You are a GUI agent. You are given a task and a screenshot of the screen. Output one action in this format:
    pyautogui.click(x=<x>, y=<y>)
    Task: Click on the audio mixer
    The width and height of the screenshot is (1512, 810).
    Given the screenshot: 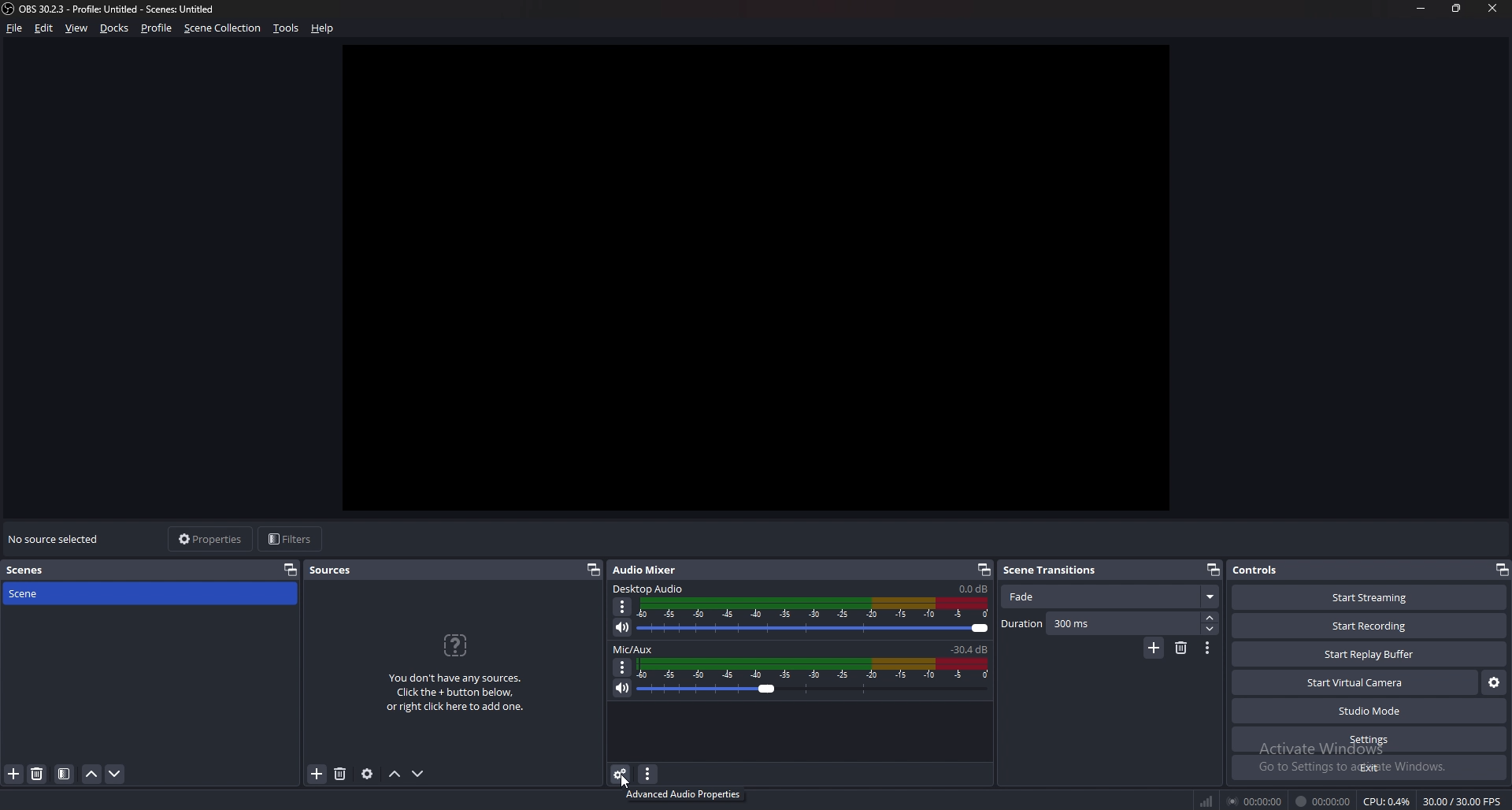 What is the action you would take?
    pyautogui.click(x=645, y=570)
    